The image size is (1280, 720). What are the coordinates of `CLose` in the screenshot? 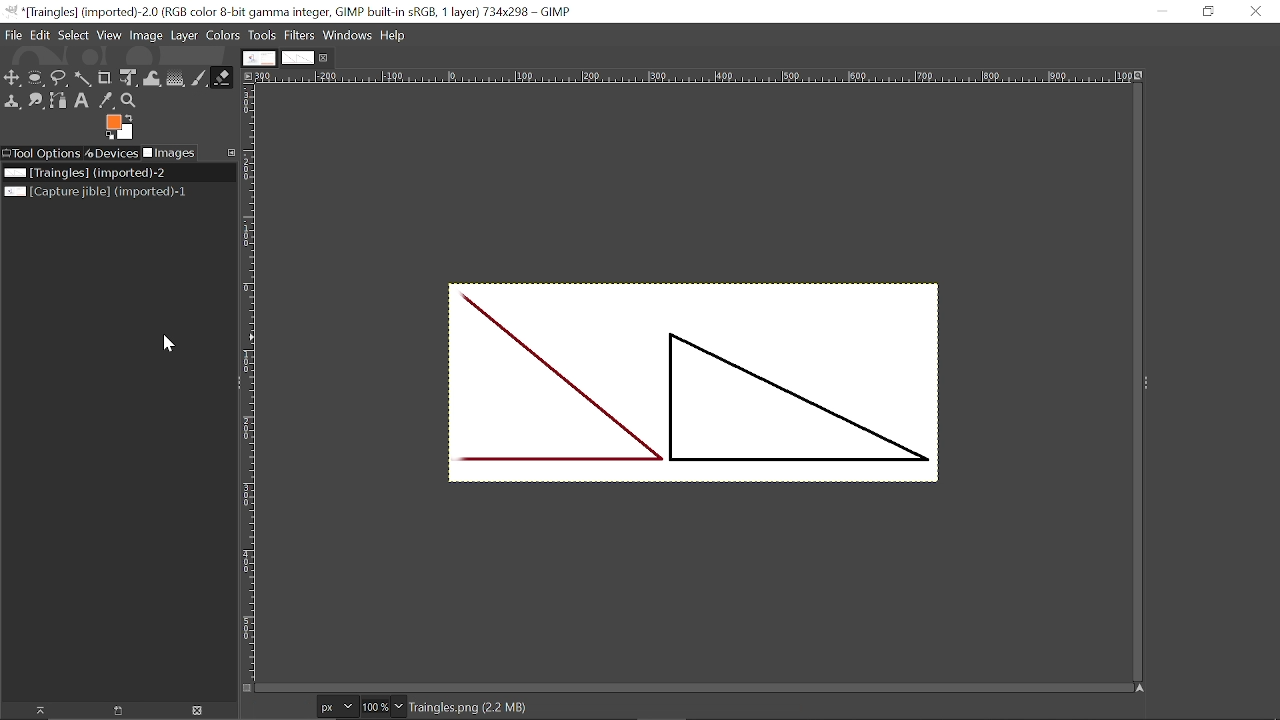 It's located at (1257, 13).